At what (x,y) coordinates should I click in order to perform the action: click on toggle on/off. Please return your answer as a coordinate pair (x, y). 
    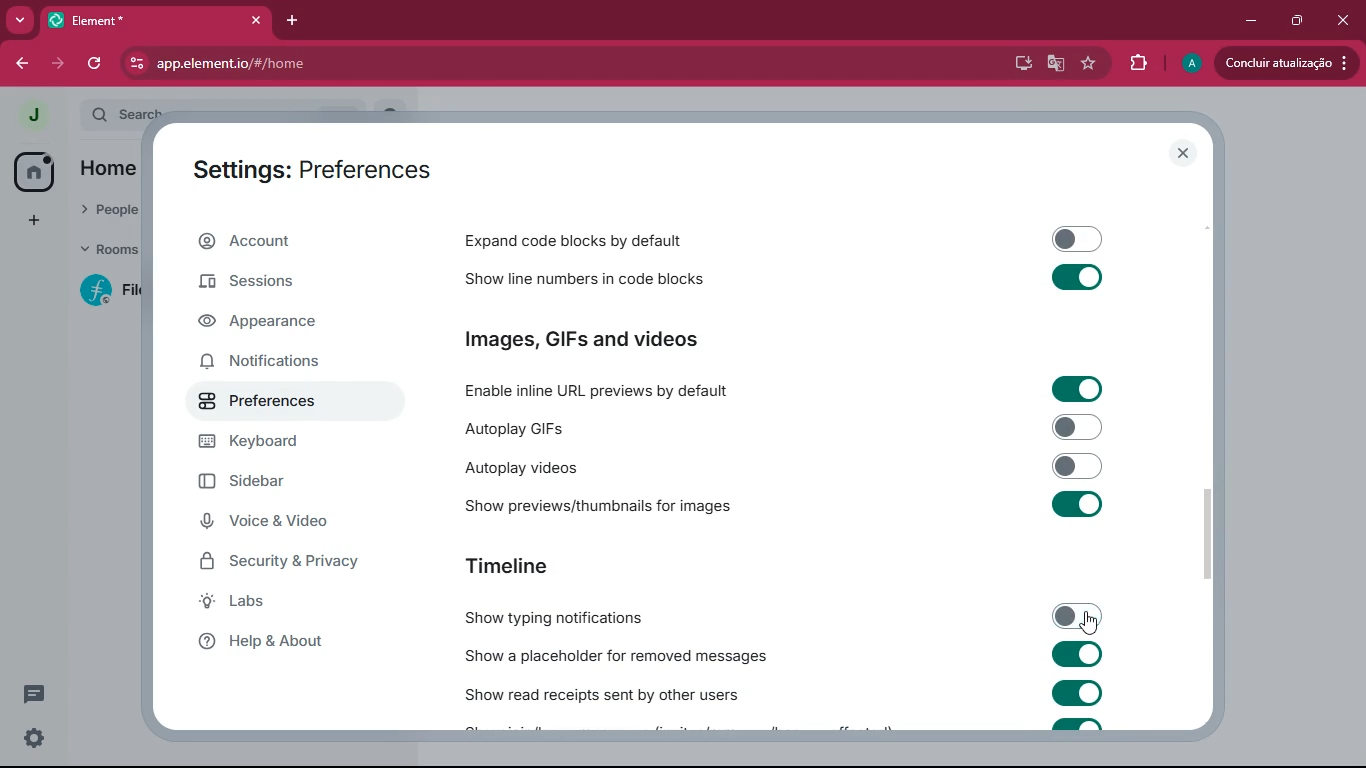
    Looking at the image, I should click on (1079, 239).